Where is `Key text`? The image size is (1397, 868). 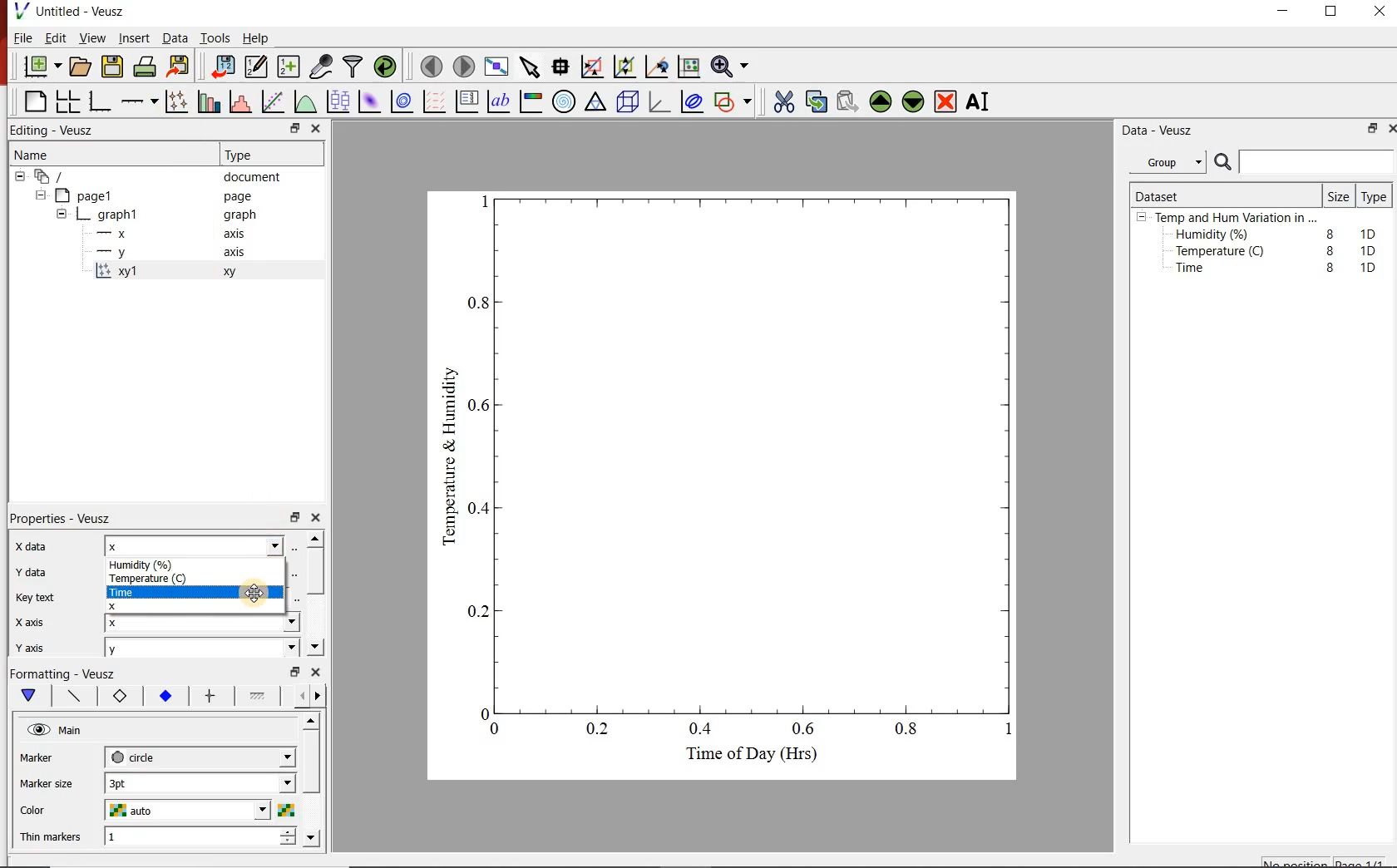
Key text is located at coordinates (40, 599).